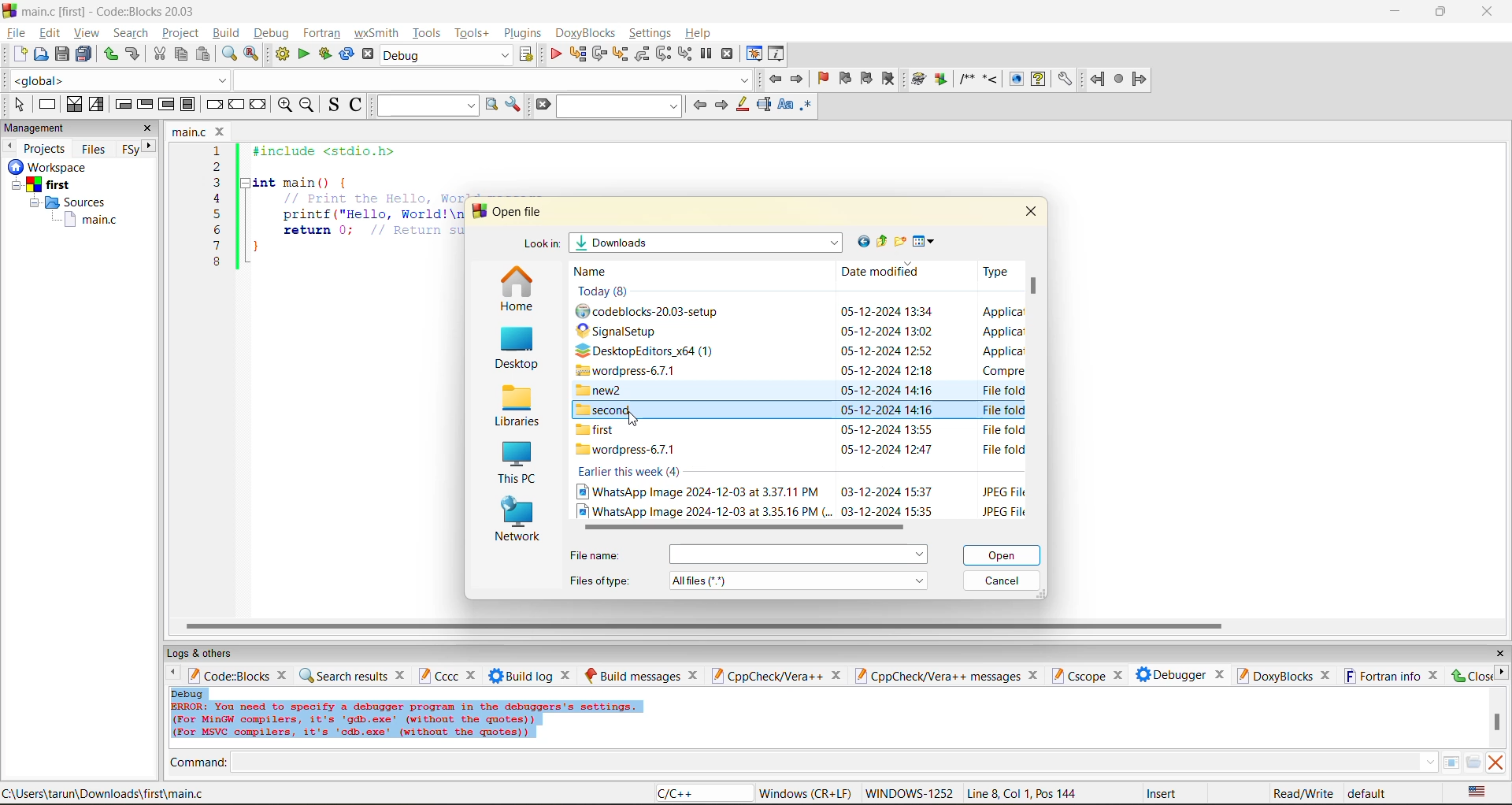  I want to click on horizontal scroll bar, so click(703, 626).